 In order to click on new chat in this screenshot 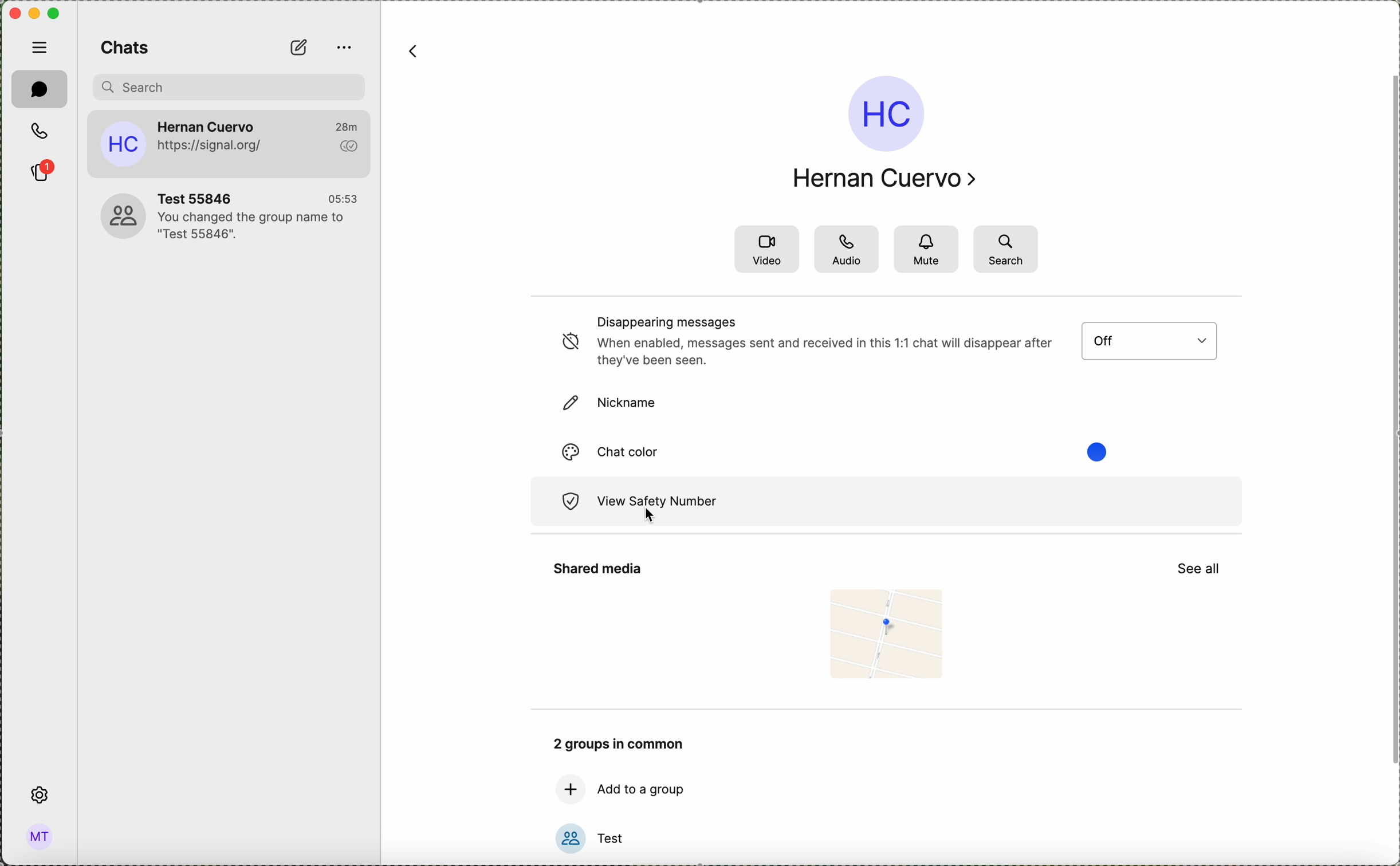, I will do `click(298, 46)`.